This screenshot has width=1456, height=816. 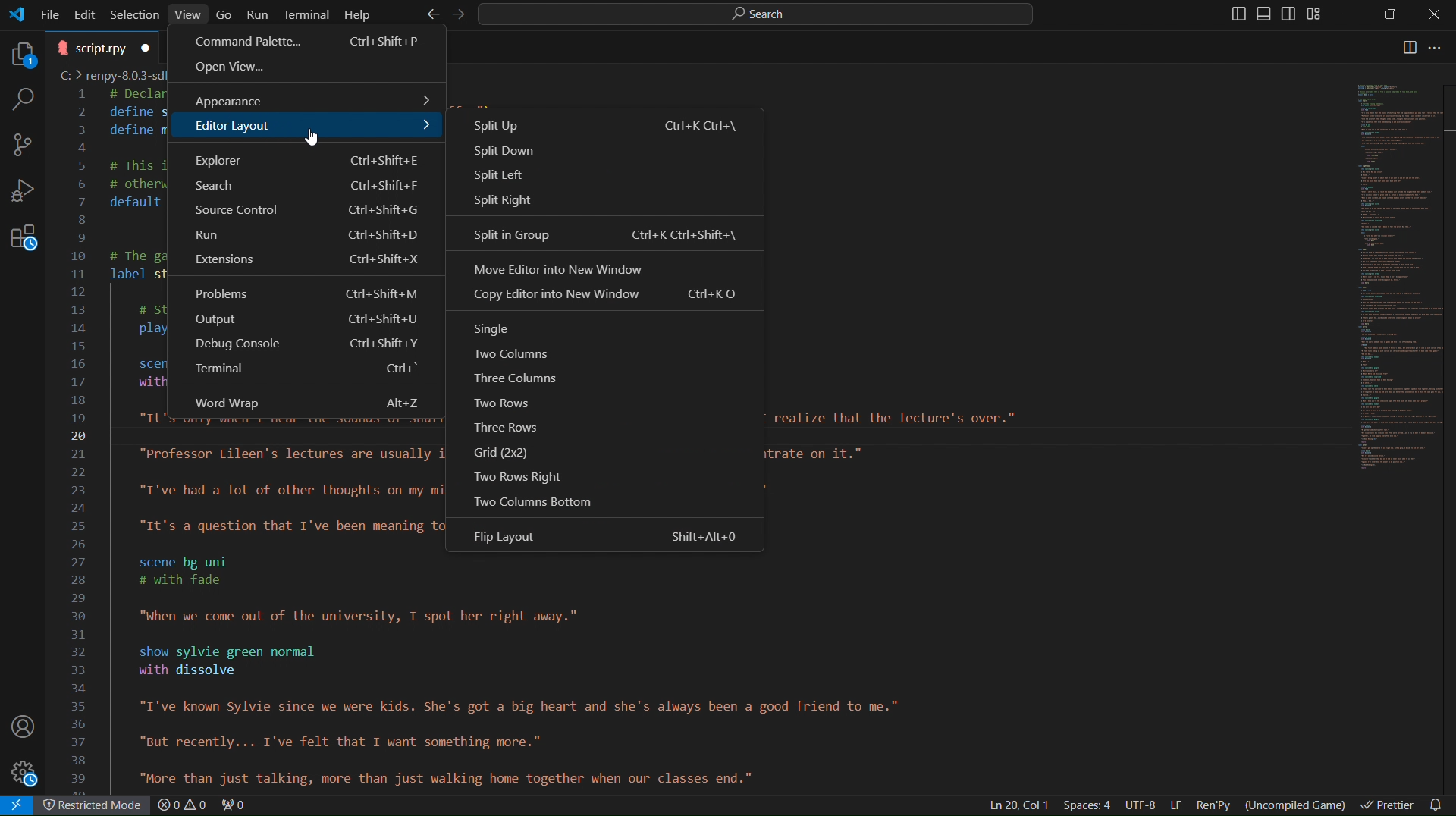 I want to click on Ln 20, col 1, so click(x=1016, y=805).